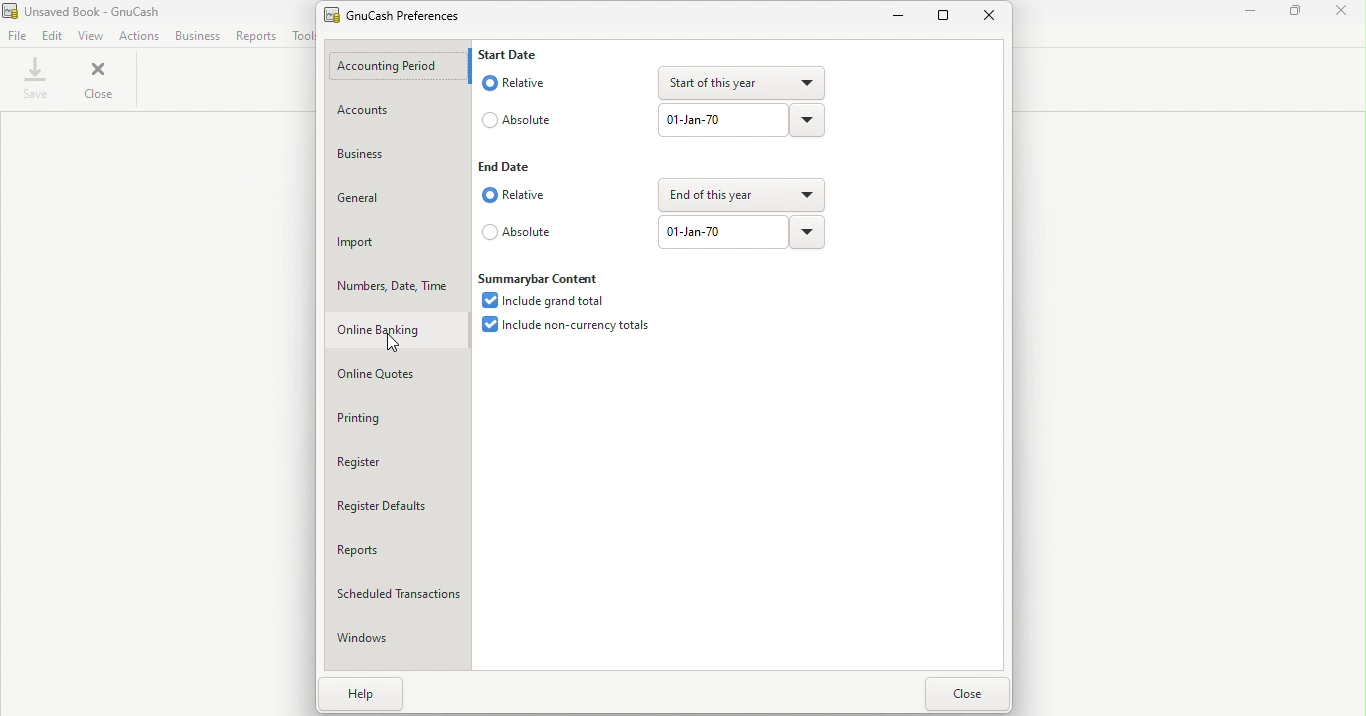 The height and width of the screenshot is (716, 1366). Describe the element at coordinates (508, 166) in the screenshot. I see `End date` at that location.